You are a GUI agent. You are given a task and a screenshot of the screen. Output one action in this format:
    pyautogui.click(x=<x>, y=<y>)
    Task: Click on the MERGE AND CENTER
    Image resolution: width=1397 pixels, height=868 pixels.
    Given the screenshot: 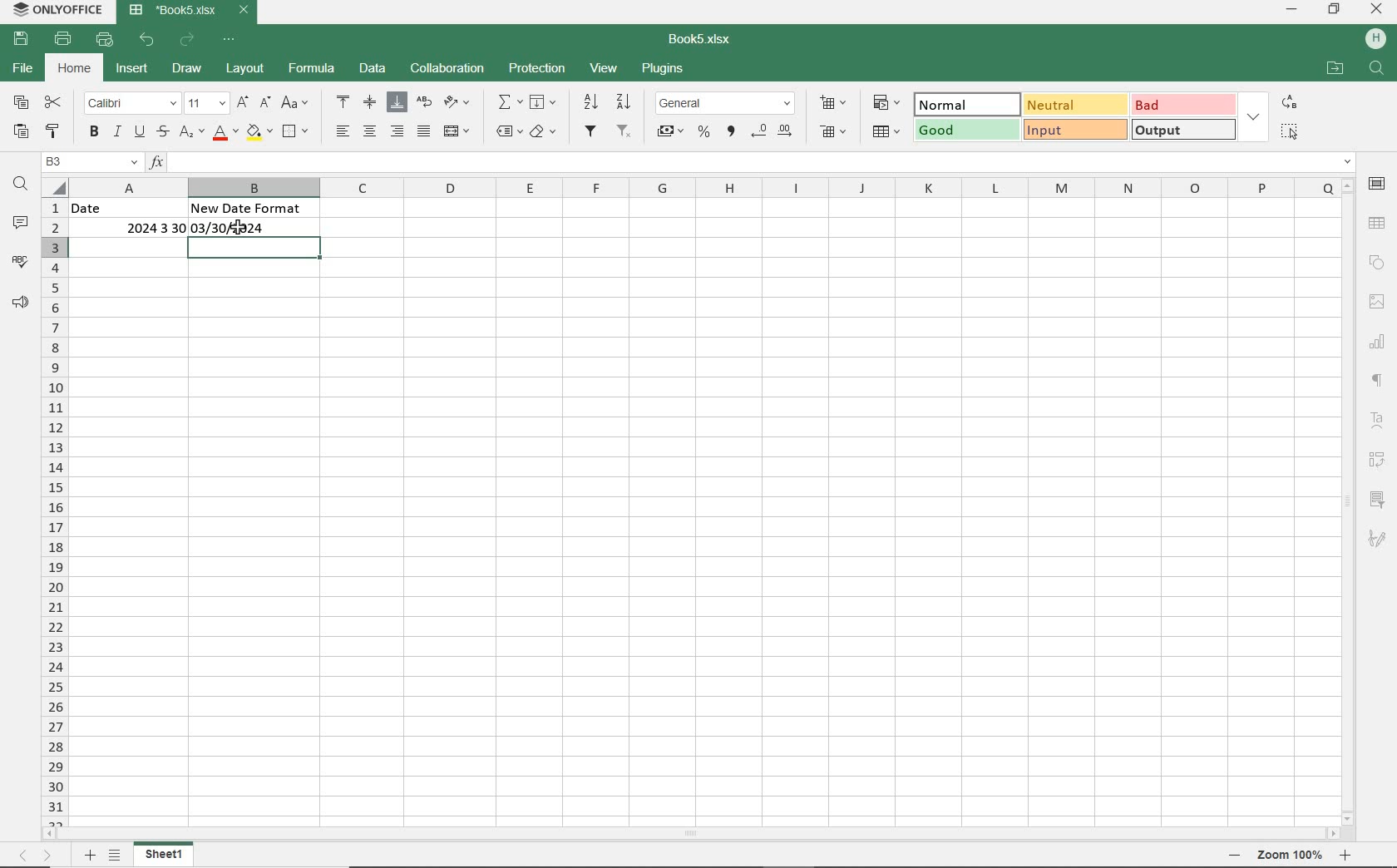 What is the action you would take?
    pyautogui.click(x=458, y=131)
    